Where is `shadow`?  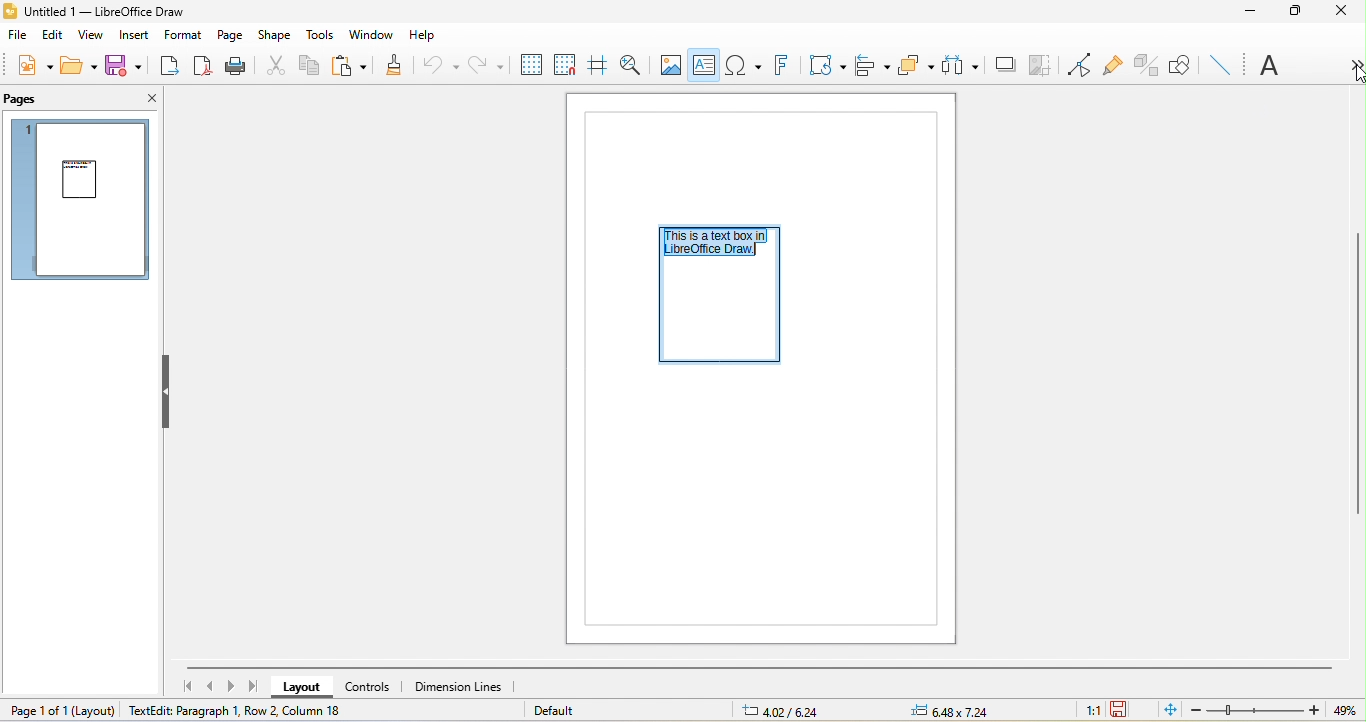 shadow is located at coordinates (1000, 63).